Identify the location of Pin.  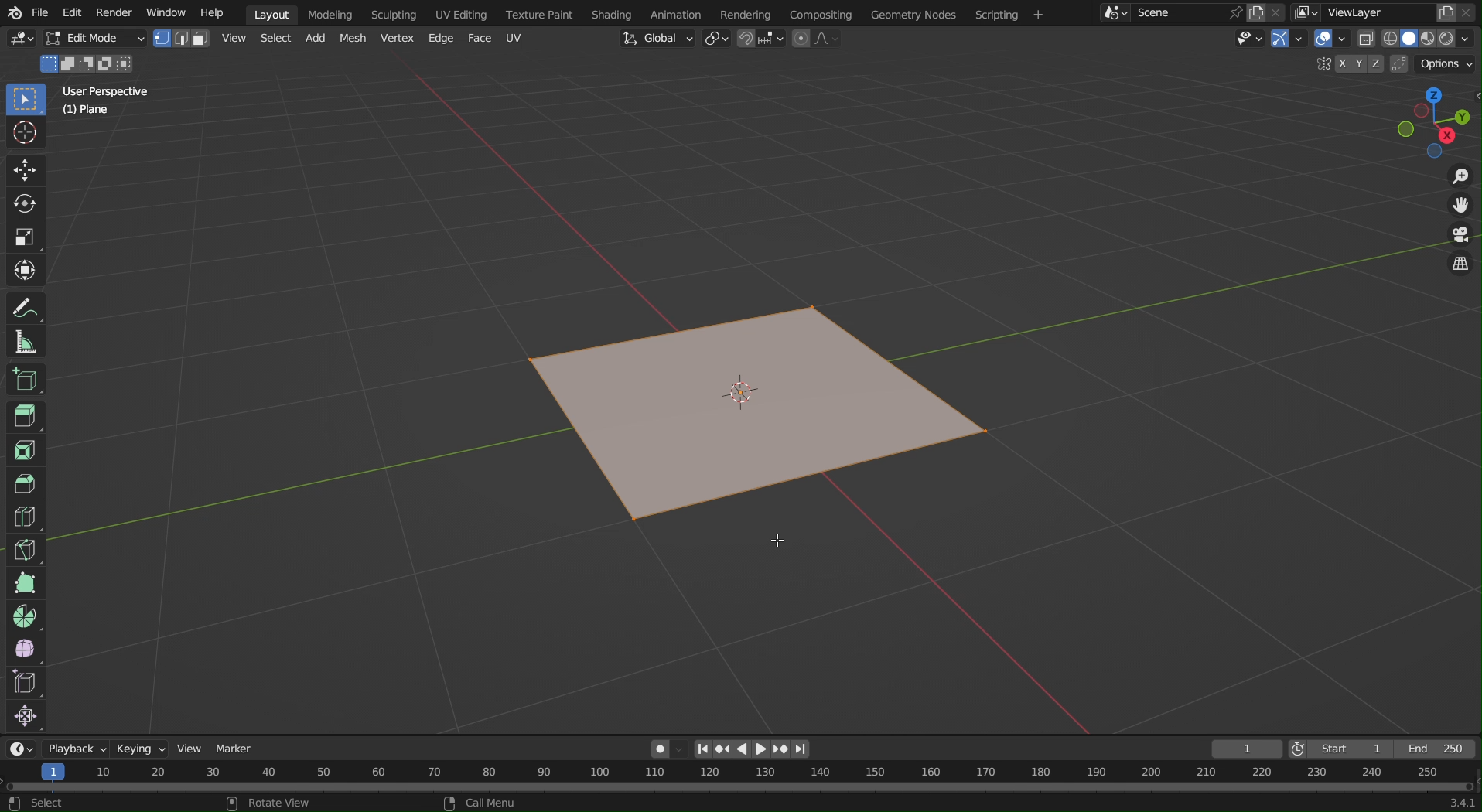
(1234, 12).